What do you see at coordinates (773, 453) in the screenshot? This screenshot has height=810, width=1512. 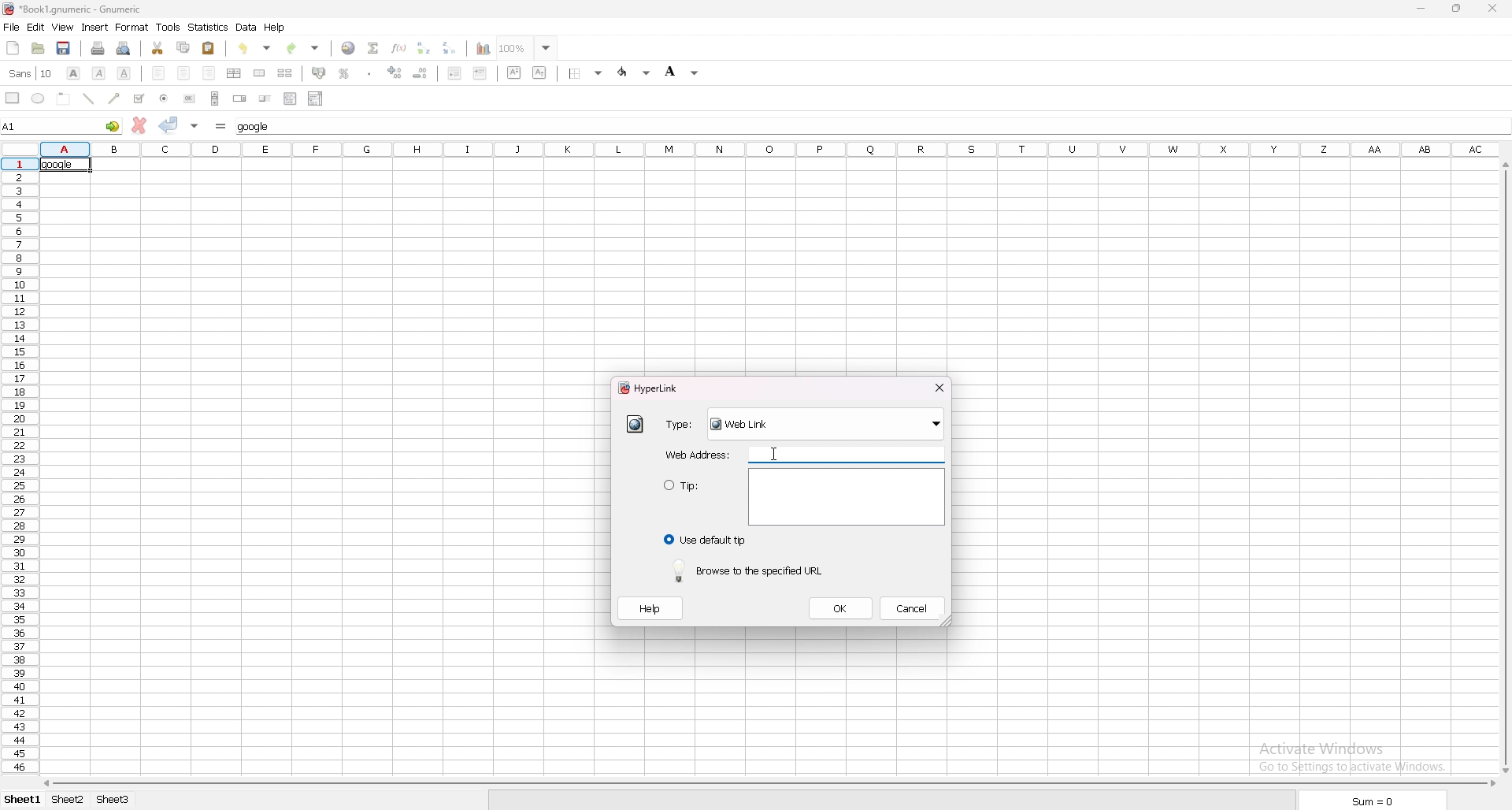 I see `cursor` at bounding box center [773, 453].